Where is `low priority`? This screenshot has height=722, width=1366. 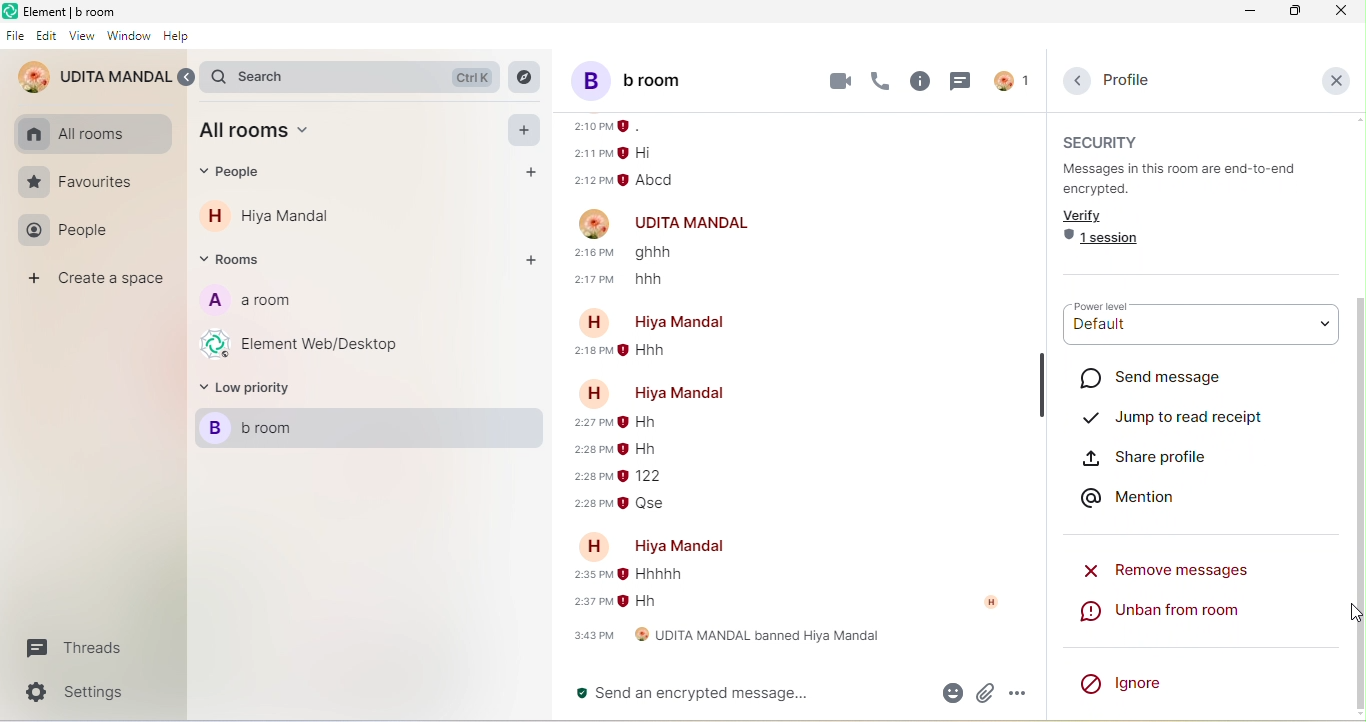 low priority is located at coordinates (251, 391).